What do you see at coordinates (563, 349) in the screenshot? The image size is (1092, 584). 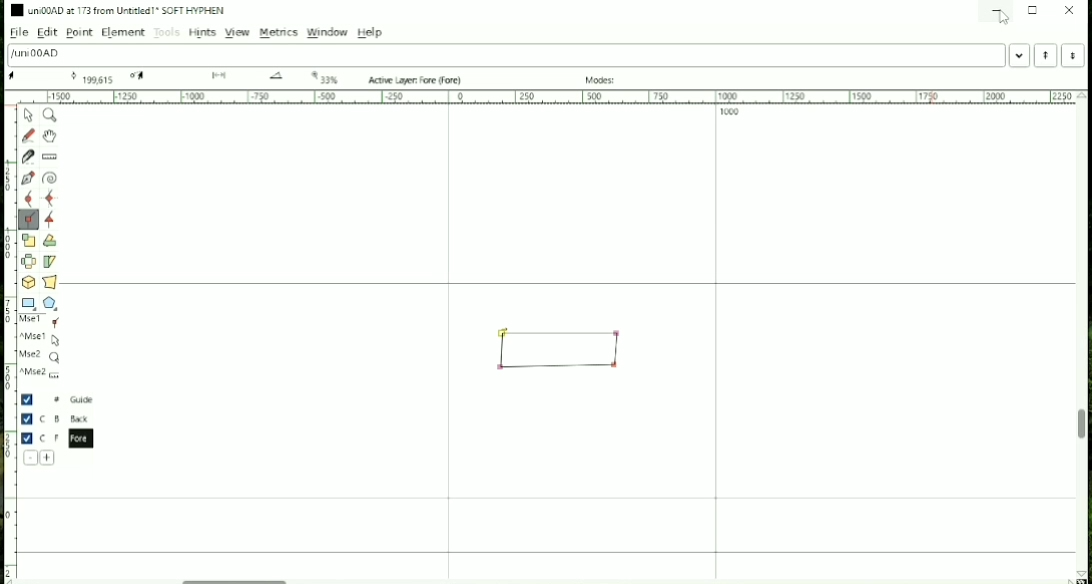 I see `Hyphen Glyph` at bounding box center [563, 349].